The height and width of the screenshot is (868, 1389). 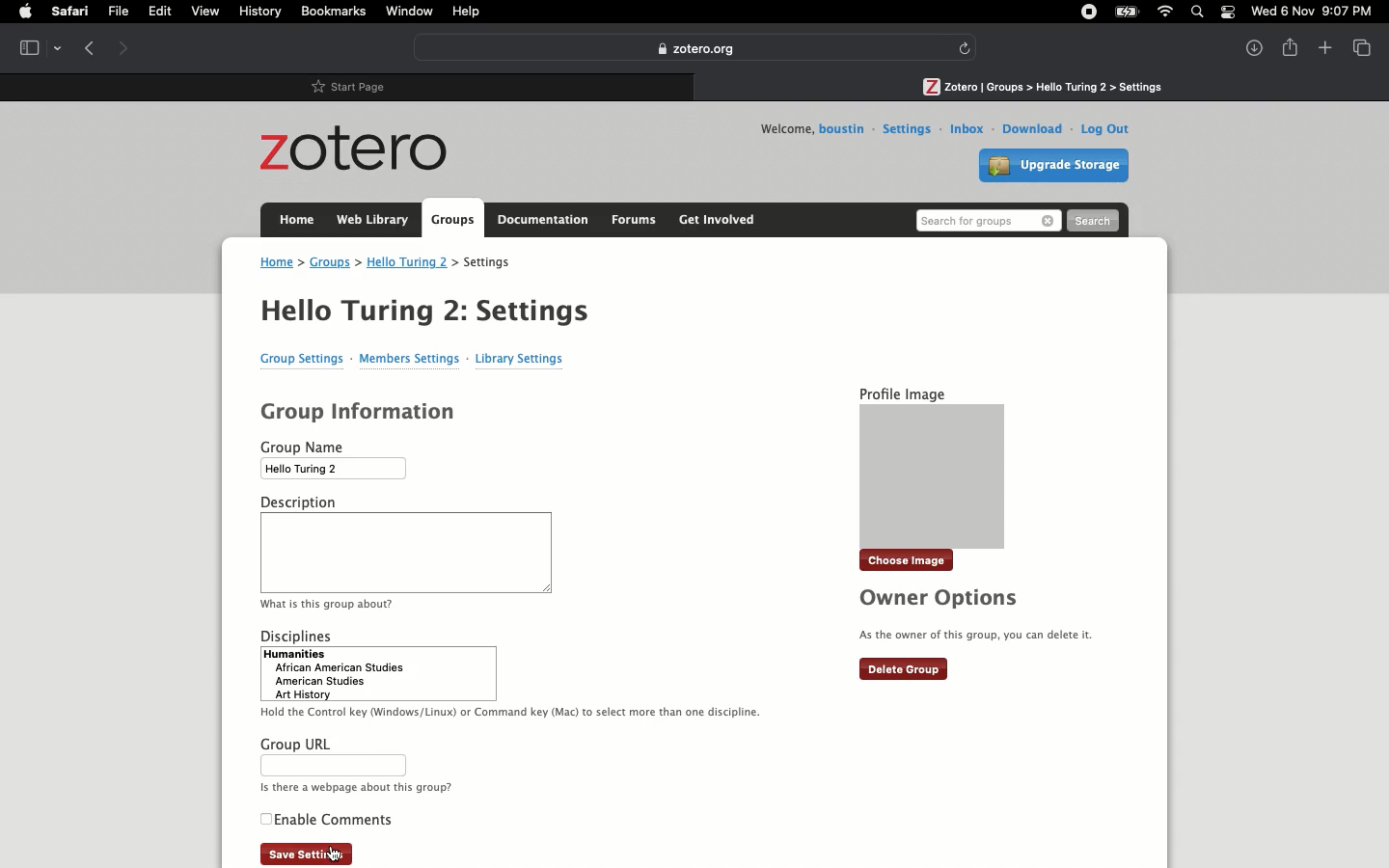 What do you see at coordinates (395, 262) in the screenshot?
I see `Address` at bounding box center [395, 262].